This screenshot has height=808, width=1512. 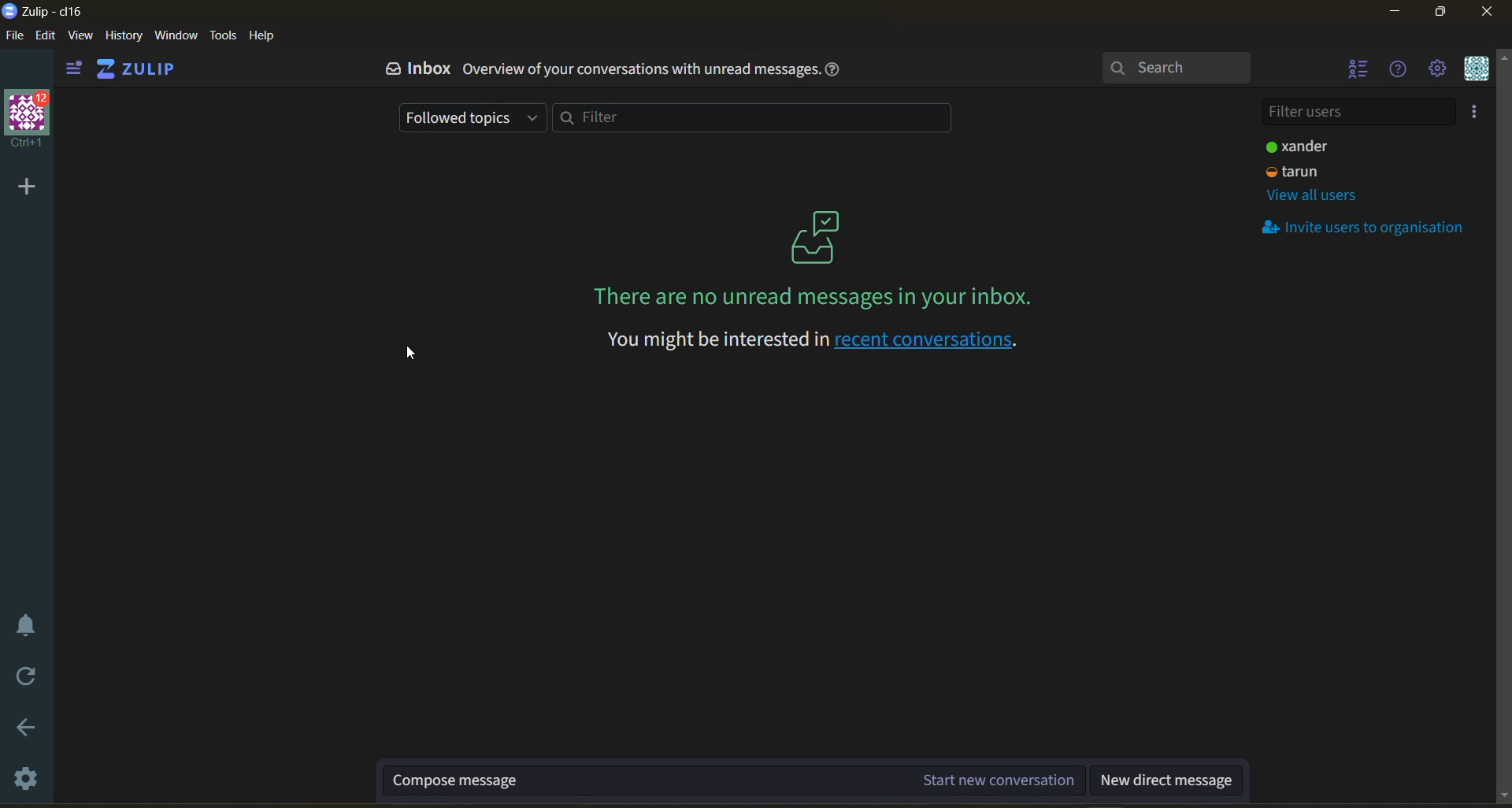 I want to click on search, so click(x=1175, y=68).